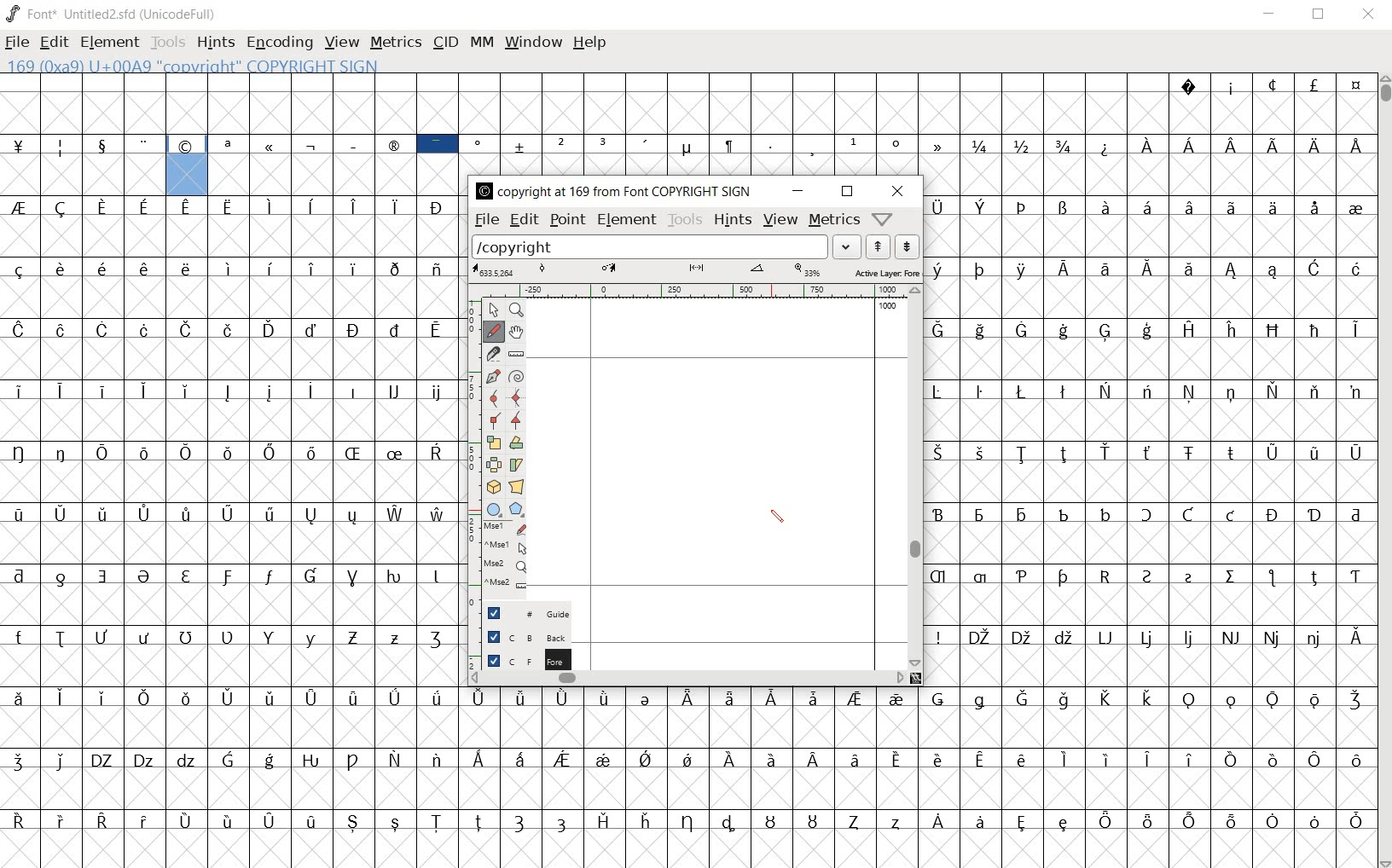 The image size is (1392, 868). I want to click on close, so click(1369, 14).